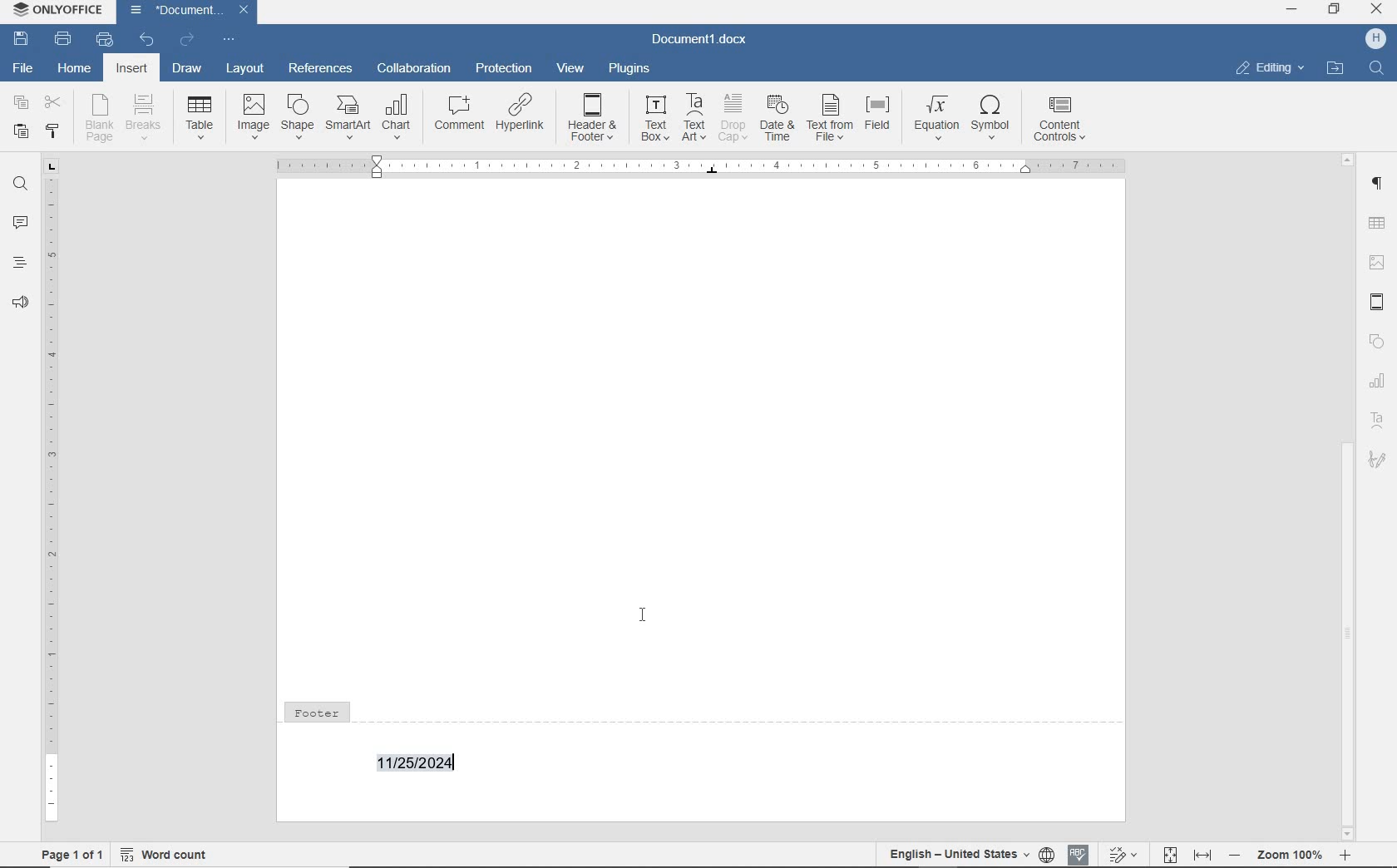  What do you see at coordinates (296, 116) in the screenshot?
I see `shape` at bounding box center [296, 116].